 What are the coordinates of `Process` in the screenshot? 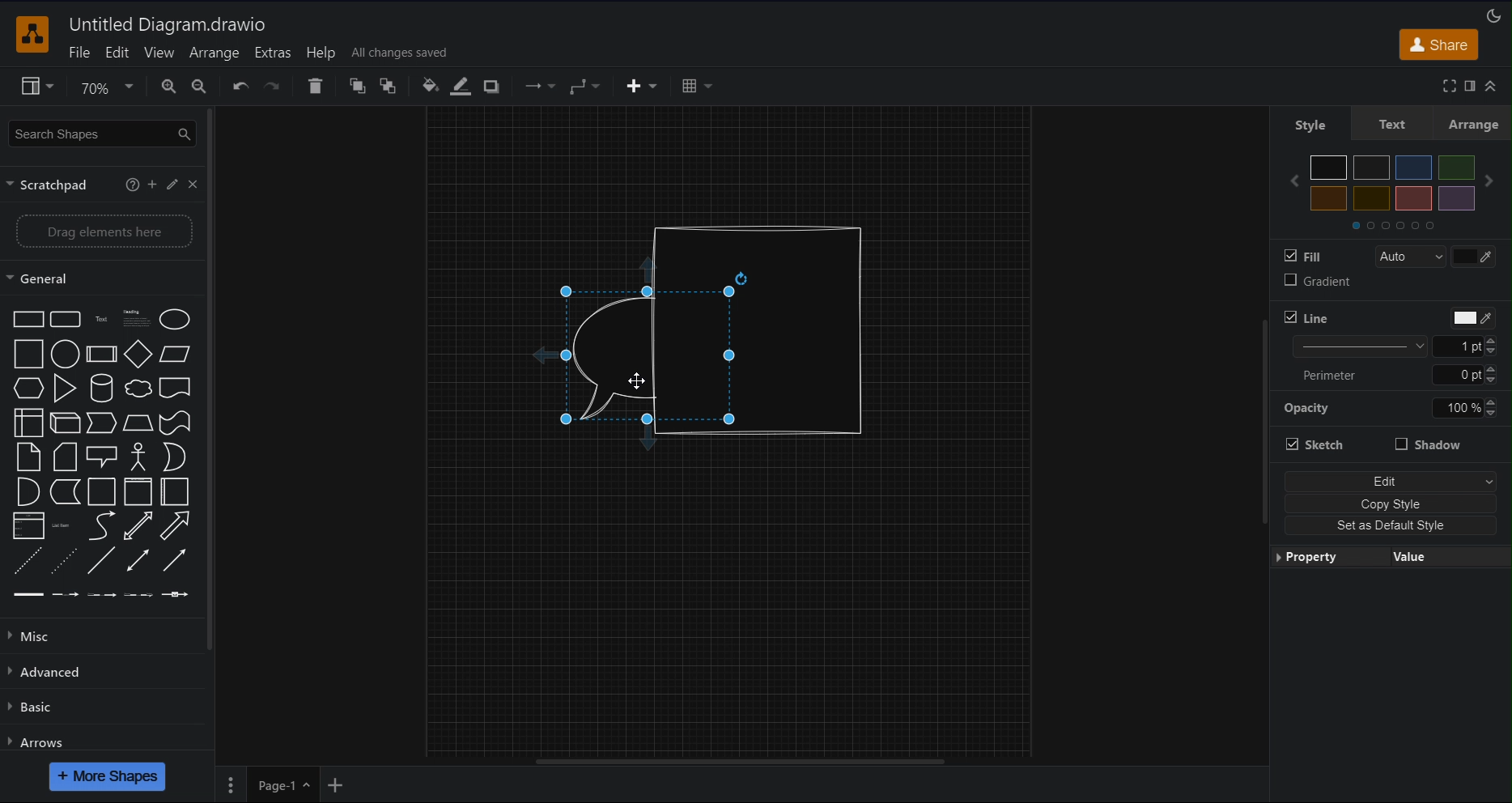 It's located at (102, 355).